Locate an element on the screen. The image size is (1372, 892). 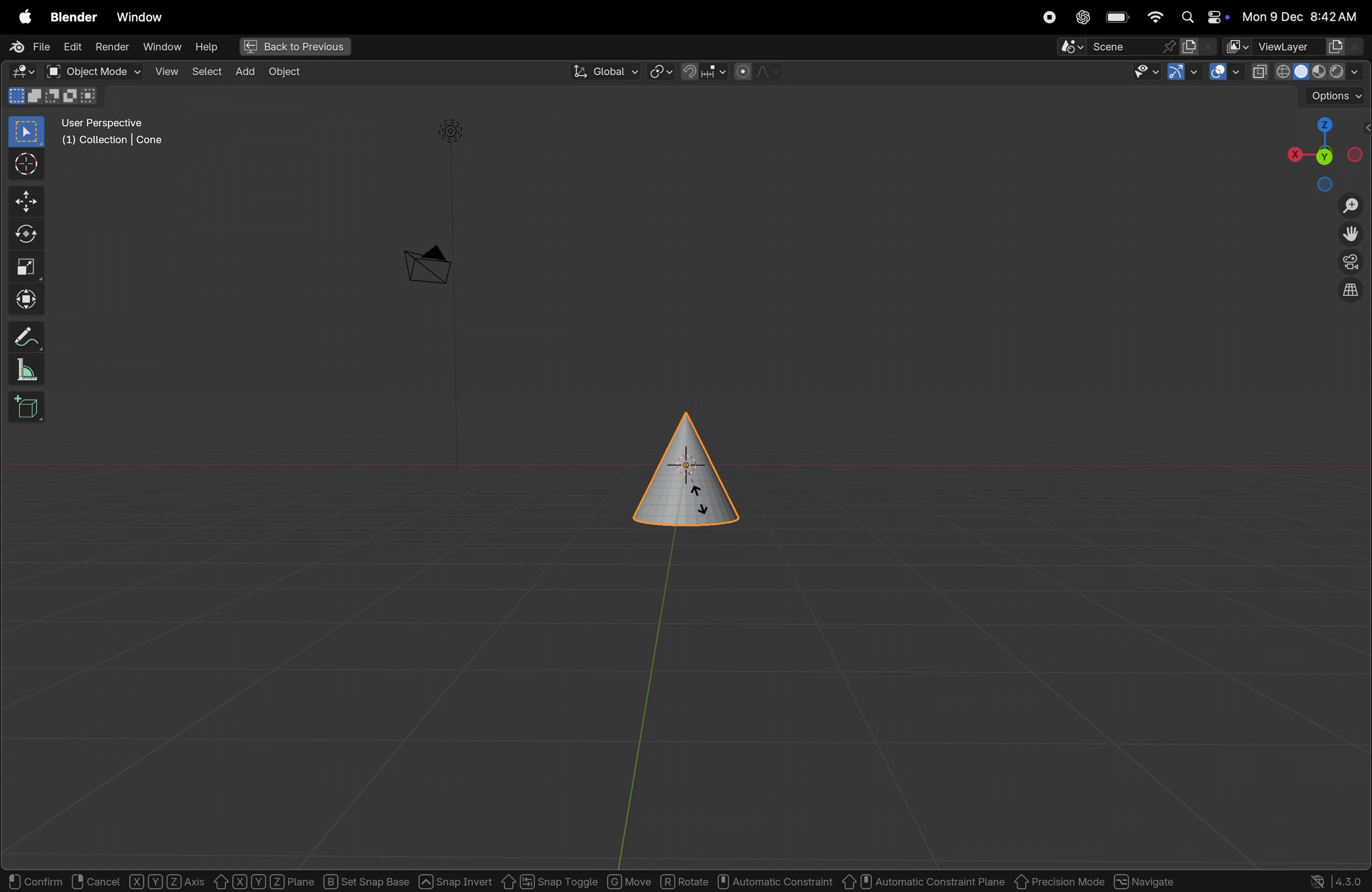
object mode is located at coordinates (93, 71).